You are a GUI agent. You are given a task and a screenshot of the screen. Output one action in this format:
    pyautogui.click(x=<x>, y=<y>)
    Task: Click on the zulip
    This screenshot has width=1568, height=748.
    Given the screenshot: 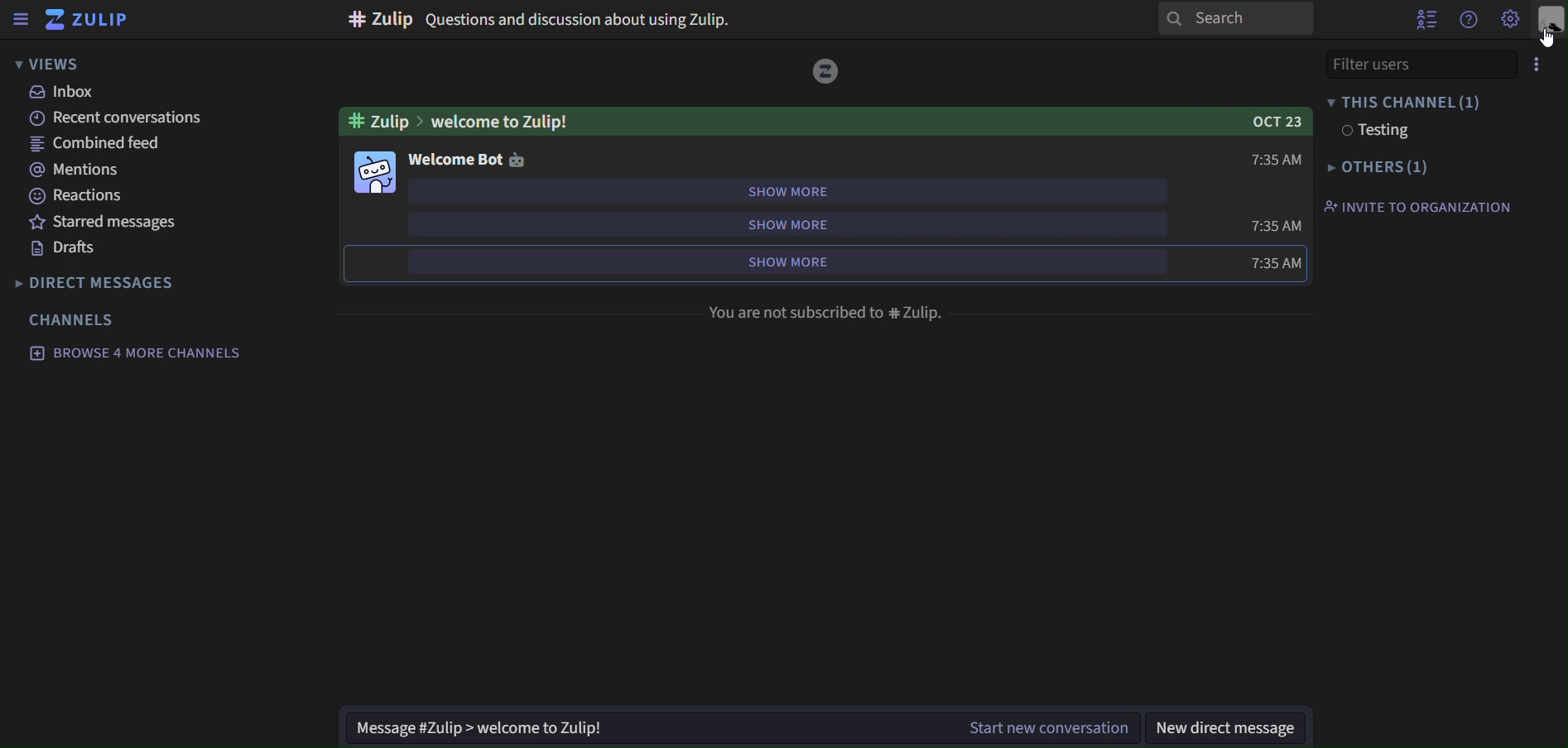 What is the action you would take?
    pyautogui.click(x=84, y=20)
    